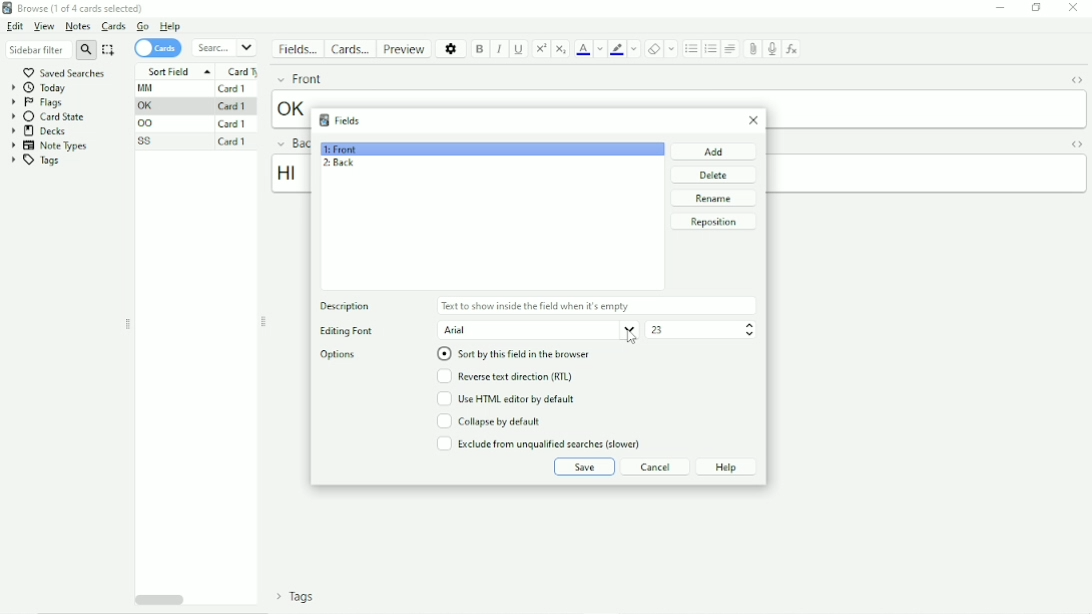 The width and height of the screenshot is (1092, 614). Describe the element at coordinates (542, 48) in the screenshot. I see `Superscript` at that location.